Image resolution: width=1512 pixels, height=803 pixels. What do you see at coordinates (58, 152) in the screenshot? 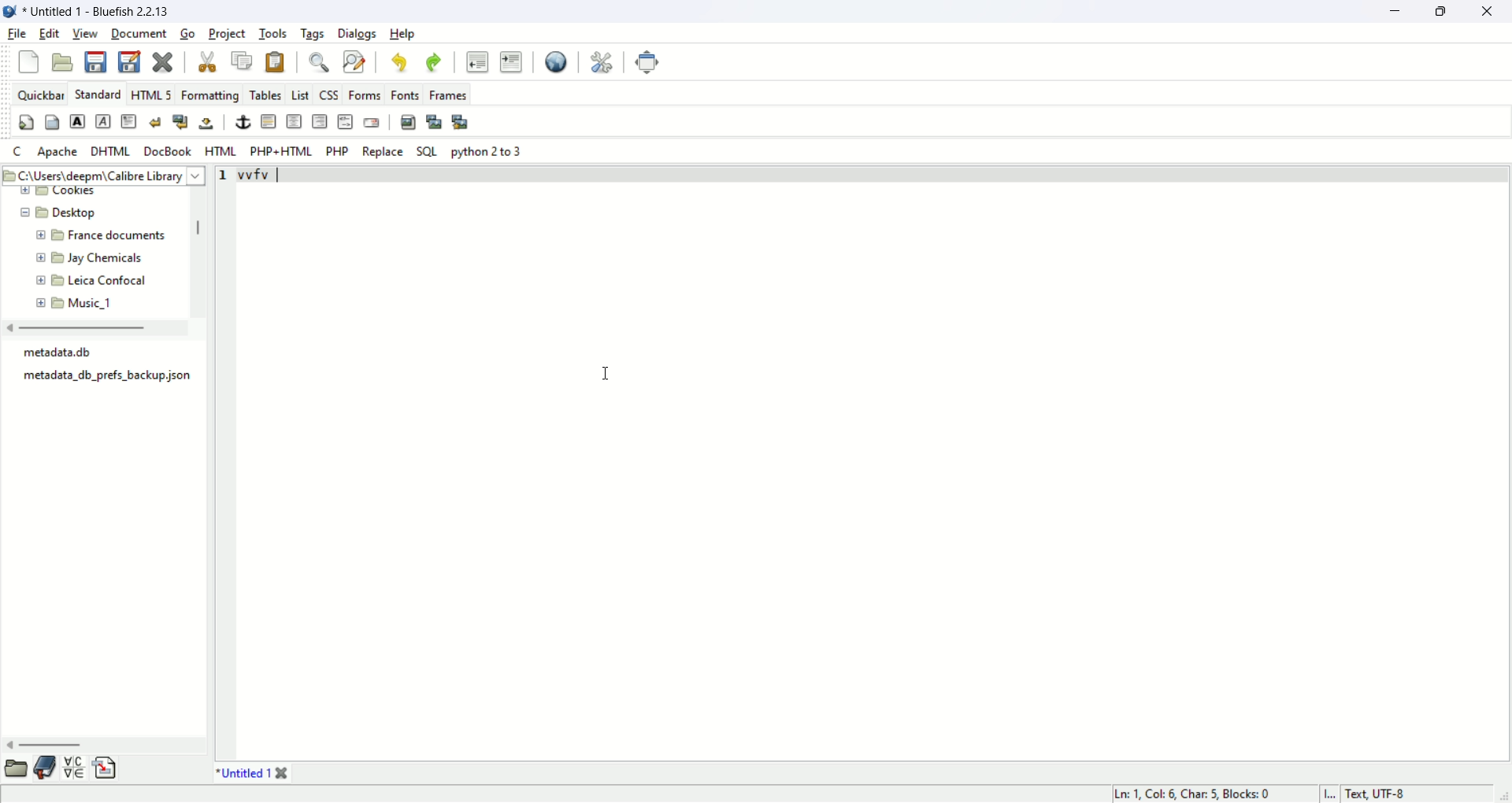
I see `apache` at bounding box center [58, 152].